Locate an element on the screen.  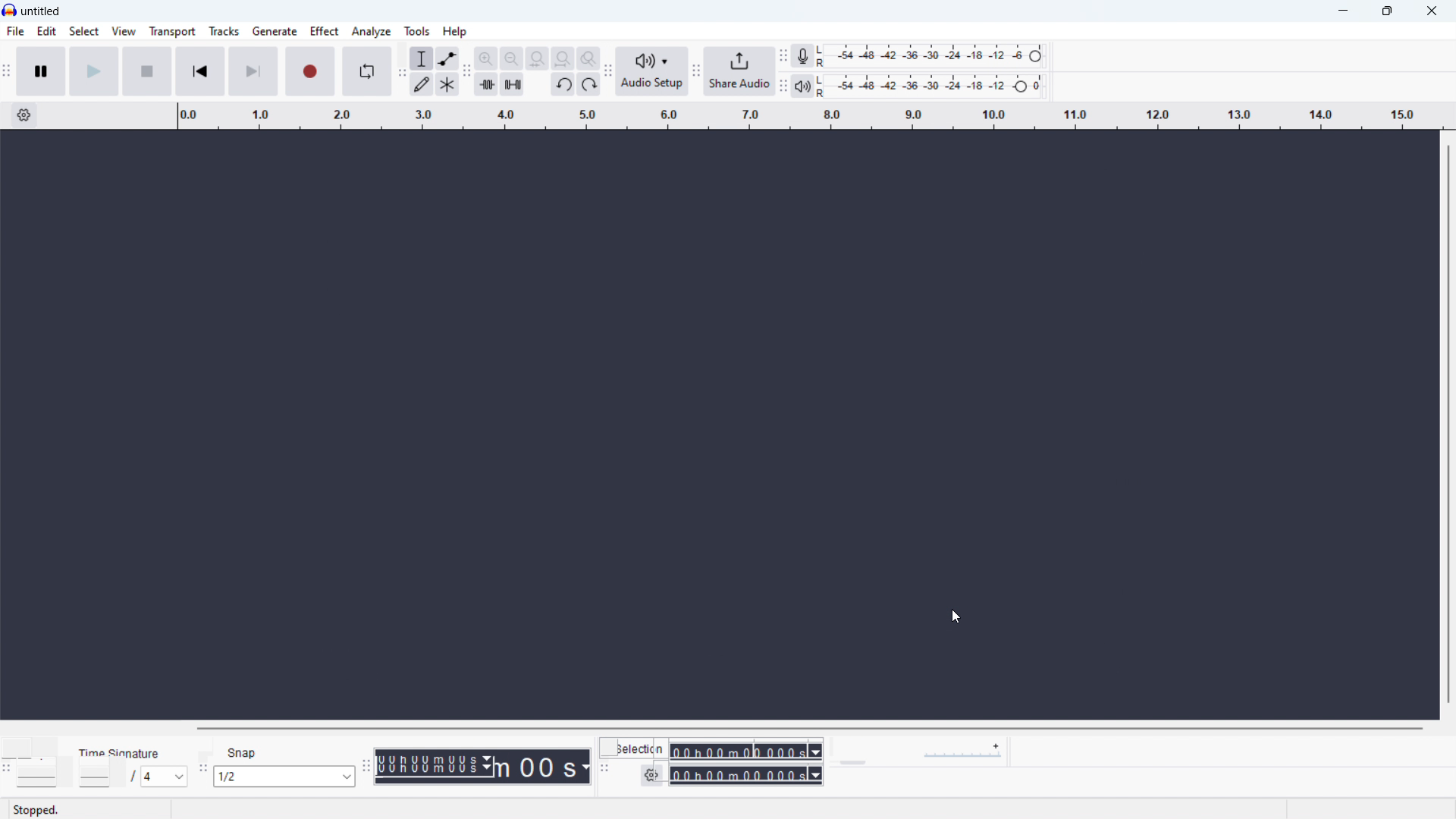
cursor is located at coordinates (955, 616).